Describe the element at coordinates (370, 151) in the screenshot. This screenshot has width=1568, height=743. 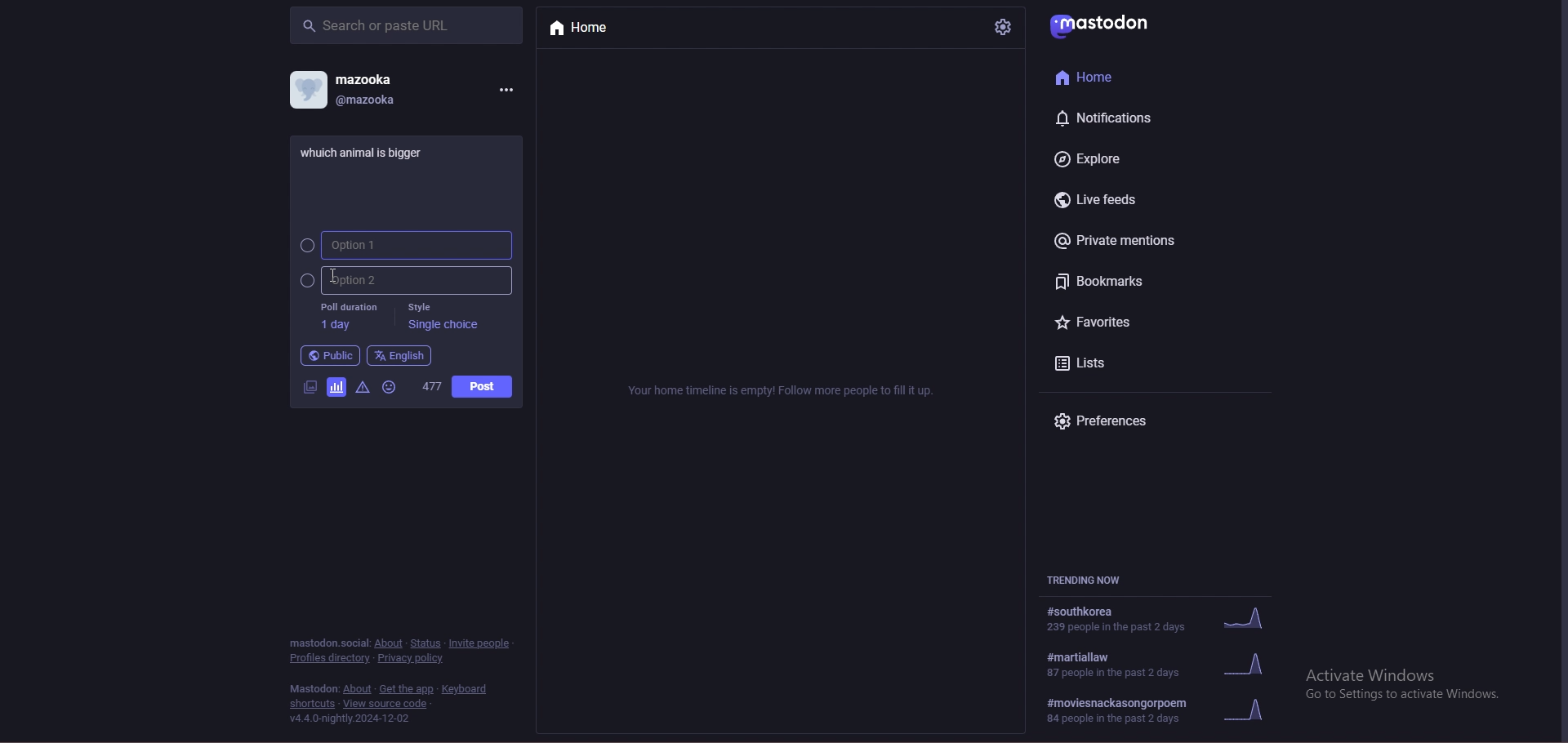
I see `post` at that location.